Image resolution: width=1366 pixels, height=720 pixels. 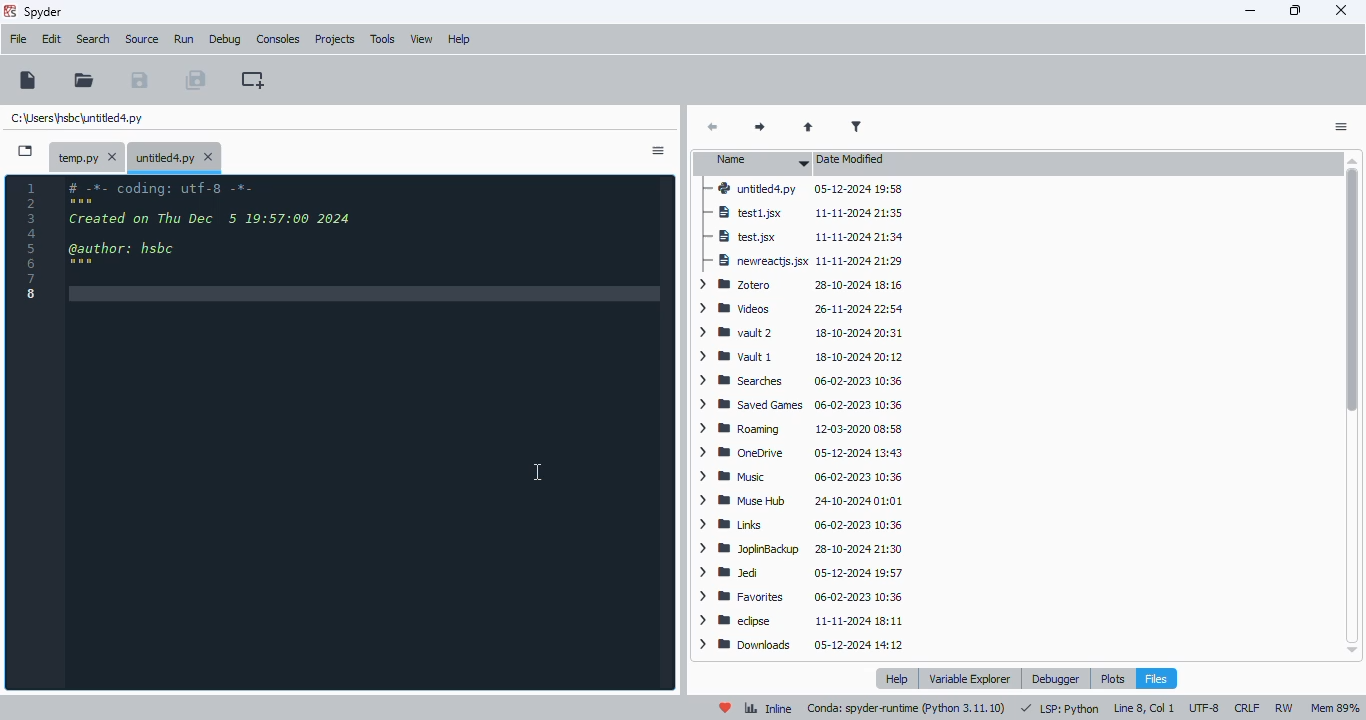 What do you see at coordinates (539, 473) in the screenshot?
I see `cursor` at bounding box center [539, 473].